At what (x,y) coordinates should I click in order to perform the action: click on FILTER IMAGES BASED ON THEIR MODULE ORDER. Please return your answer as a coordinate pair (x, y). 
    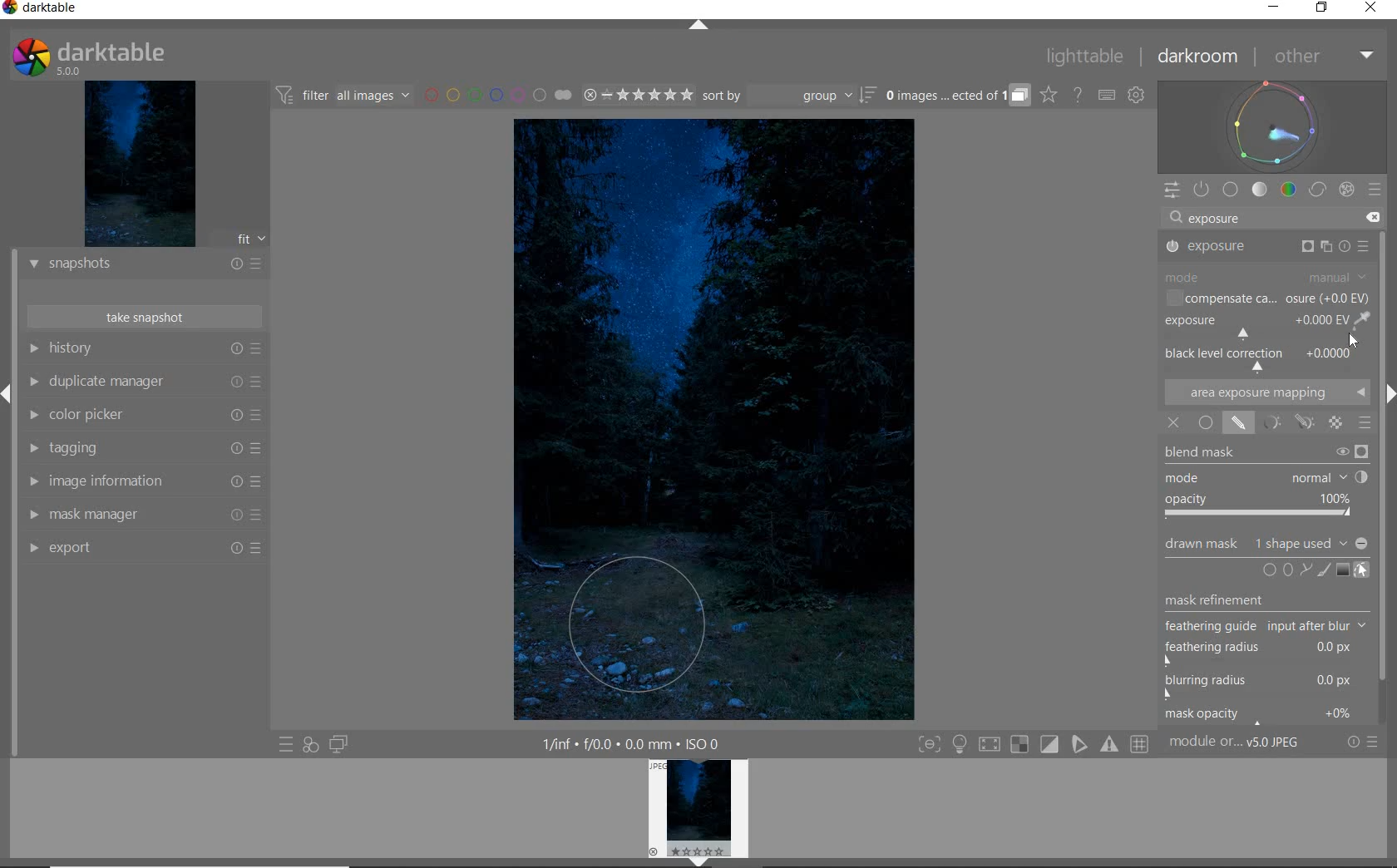
    Looking at the image, I should click on (345, 96).